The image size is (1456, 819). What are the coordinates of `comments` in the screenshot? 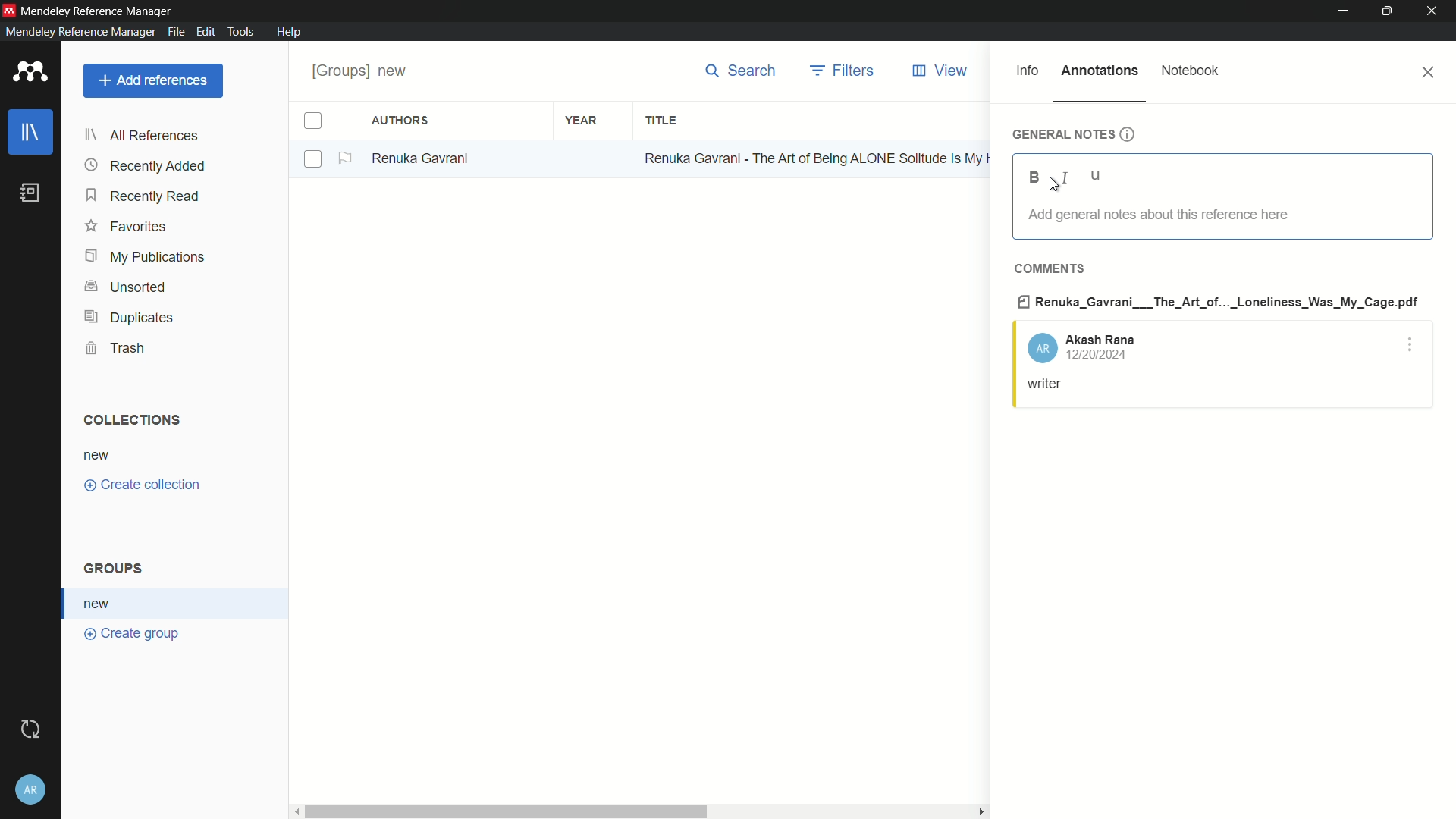 It's located at (1048, 268).